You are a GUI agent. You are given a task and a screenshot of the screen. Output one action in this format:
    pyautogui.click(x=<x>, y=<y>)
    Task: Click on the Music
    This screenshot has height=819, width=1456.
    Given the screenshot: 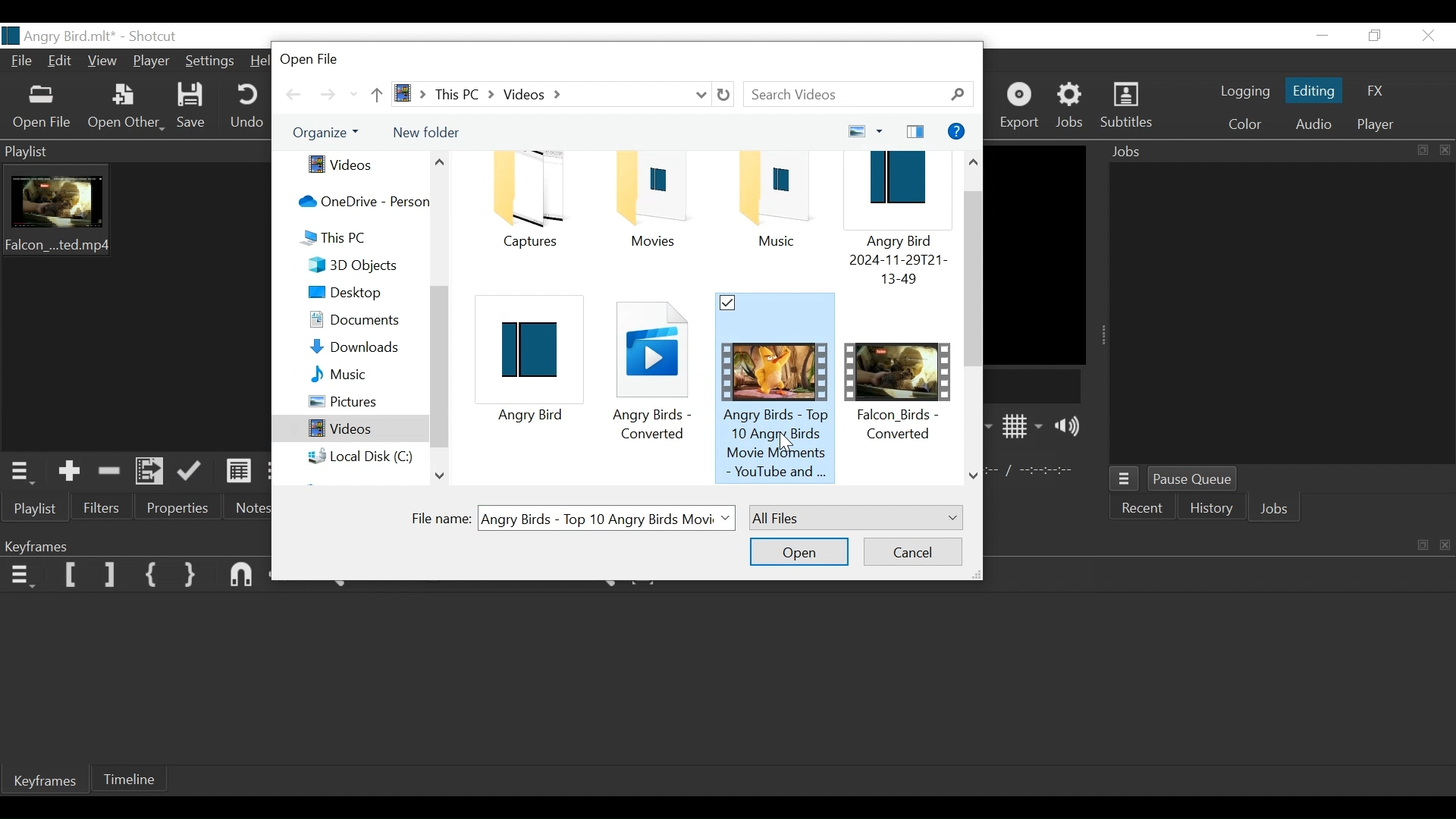 What is the action you would take?
    pyautogui.click(x=363, y=374)
    